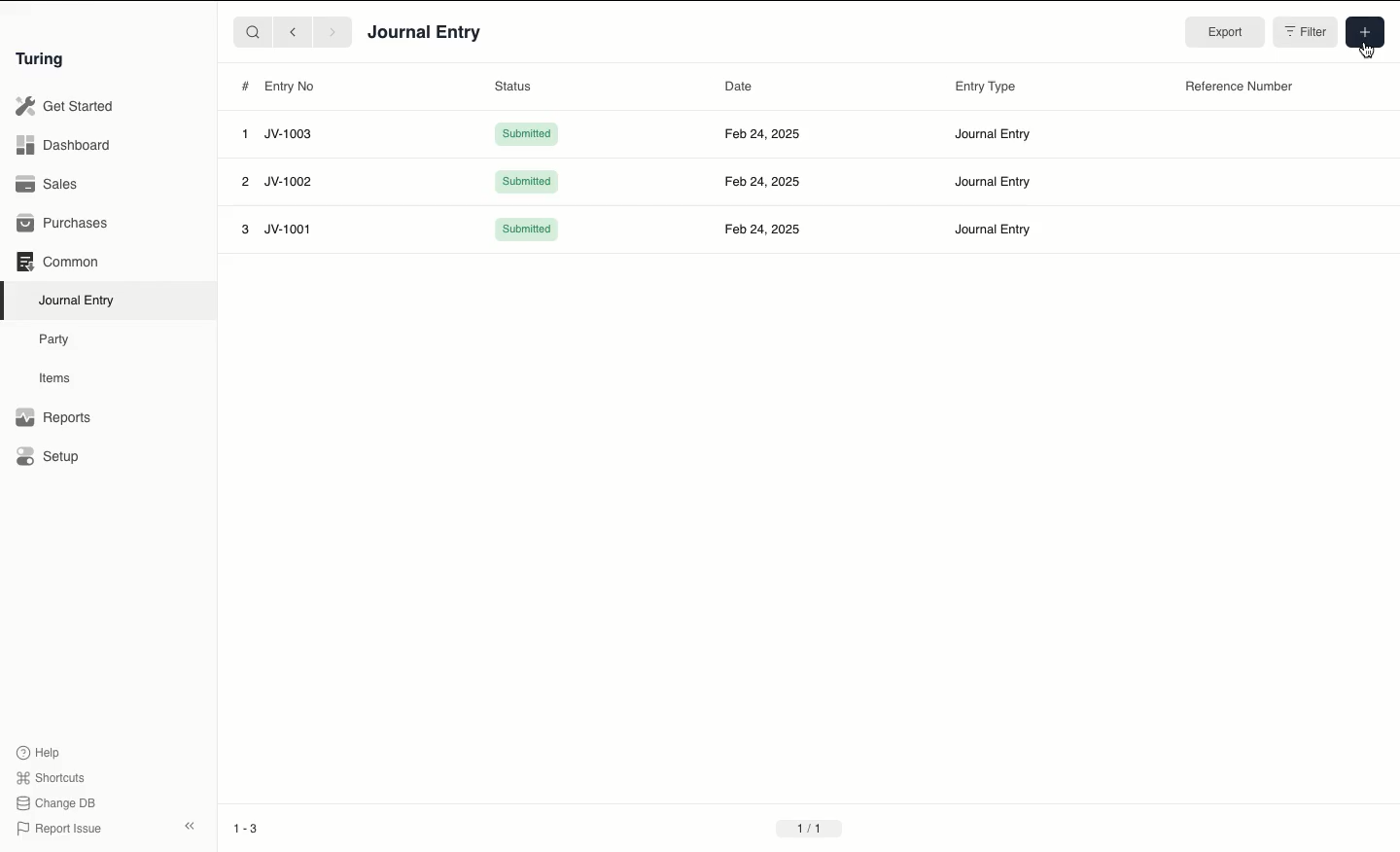 This screenshot has width=1400, height=852. What do you see at coordinates (245, 182) in the screenshot?
I see `2` at bounding box center [245, 182].